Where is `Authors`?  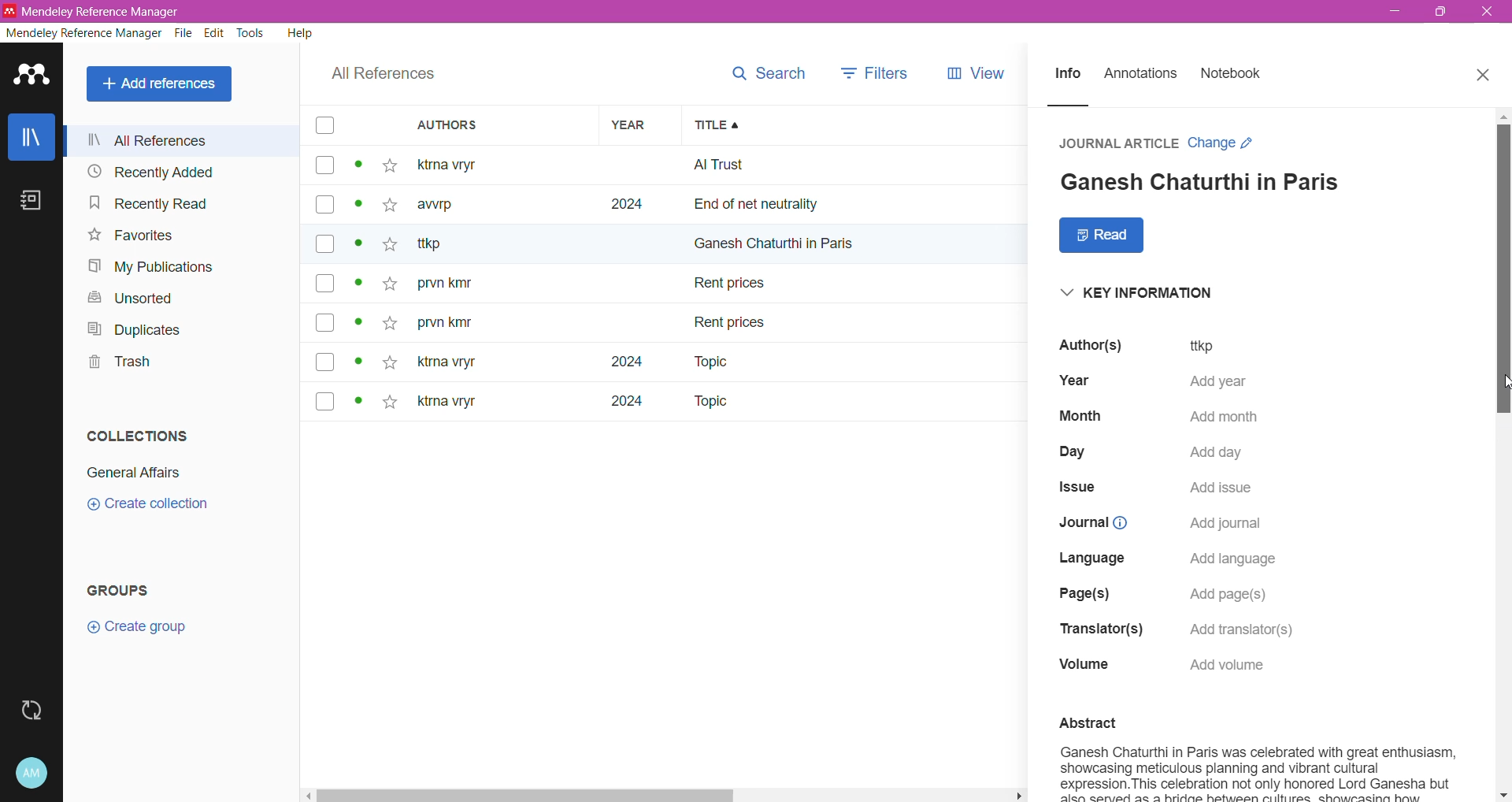
Authors is located at coordinates (1087, 345).